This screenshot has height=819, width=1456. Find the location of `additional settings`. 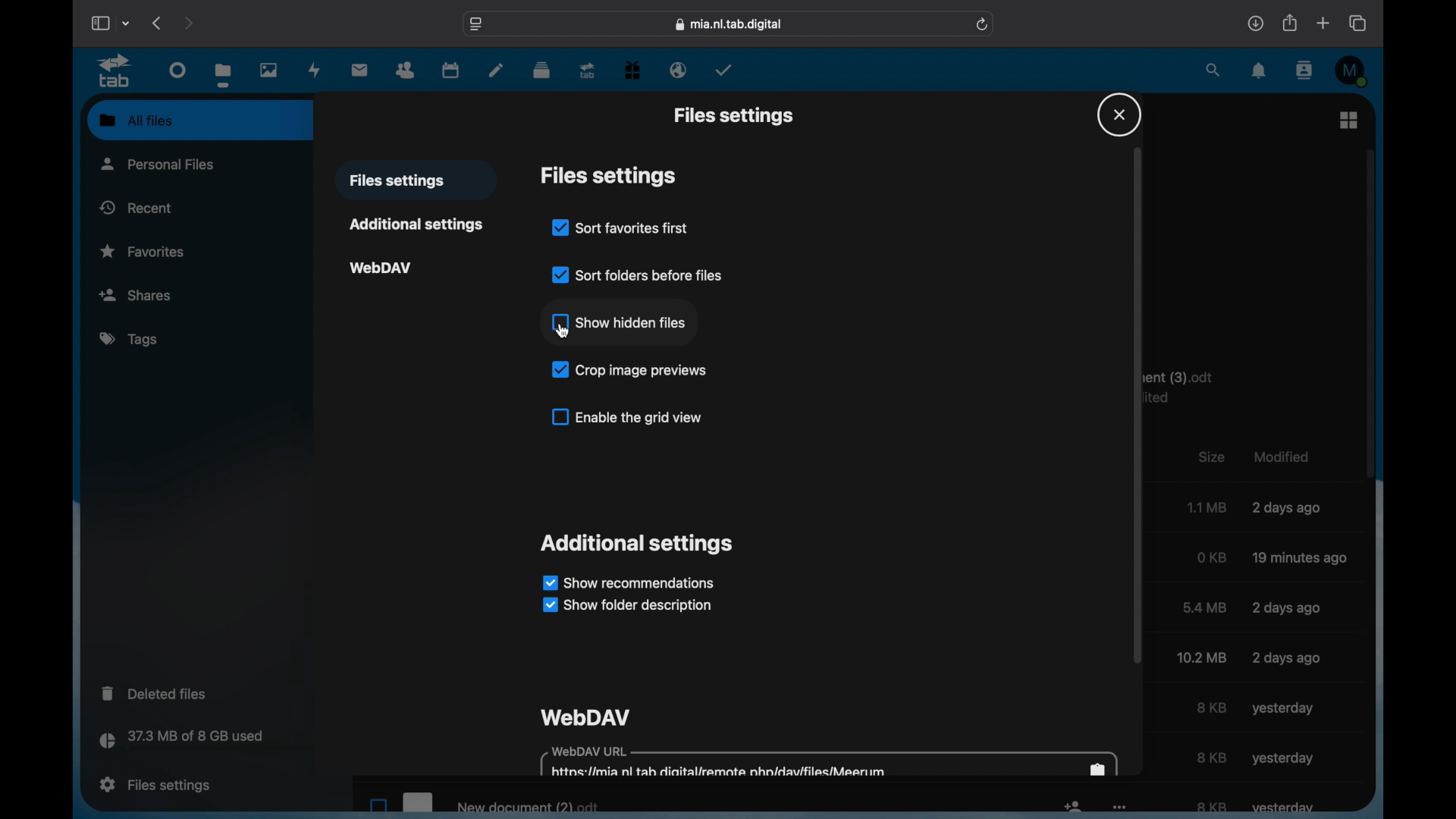

additional settings is located at coordinates (639, 544).